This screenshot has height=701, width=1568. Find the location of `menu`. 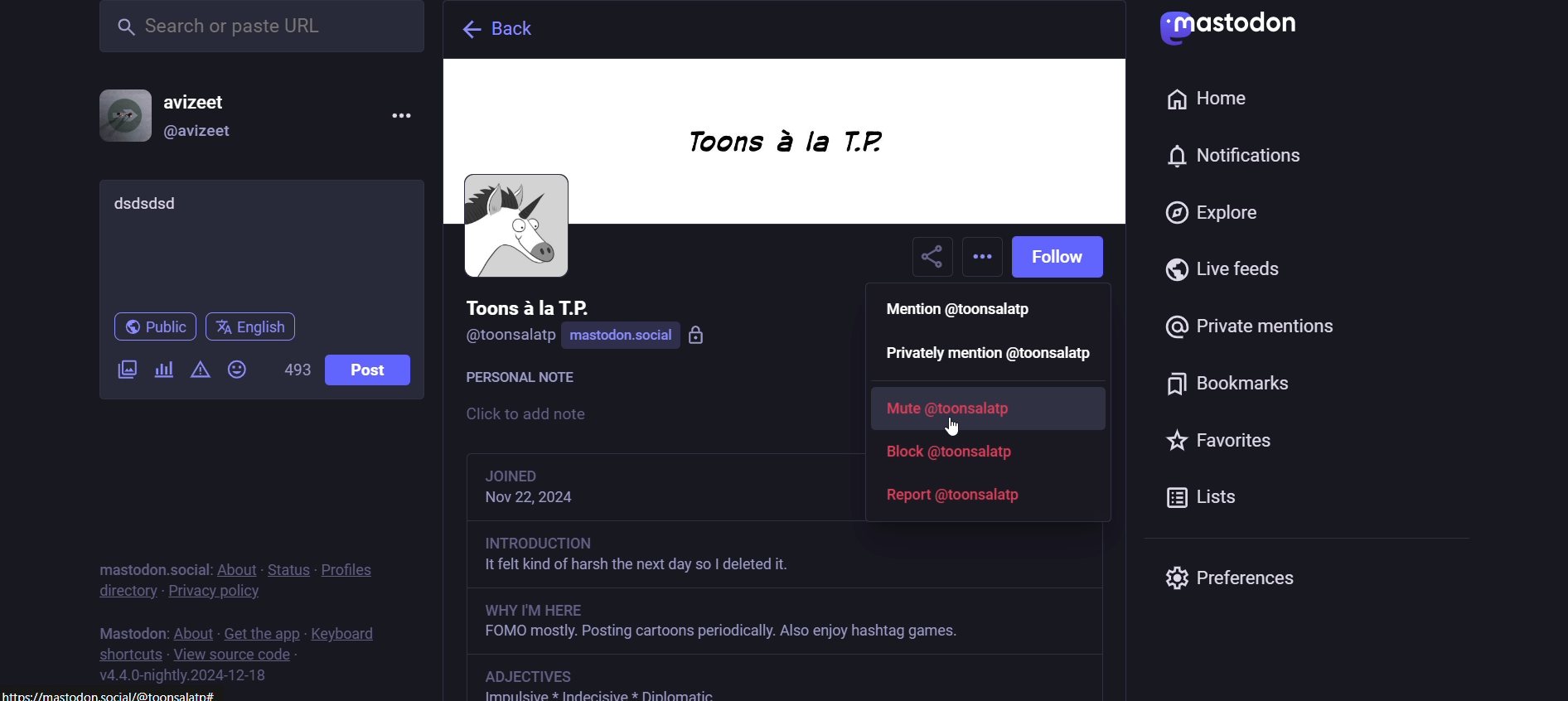

menu is located at coordinates (399, 117).